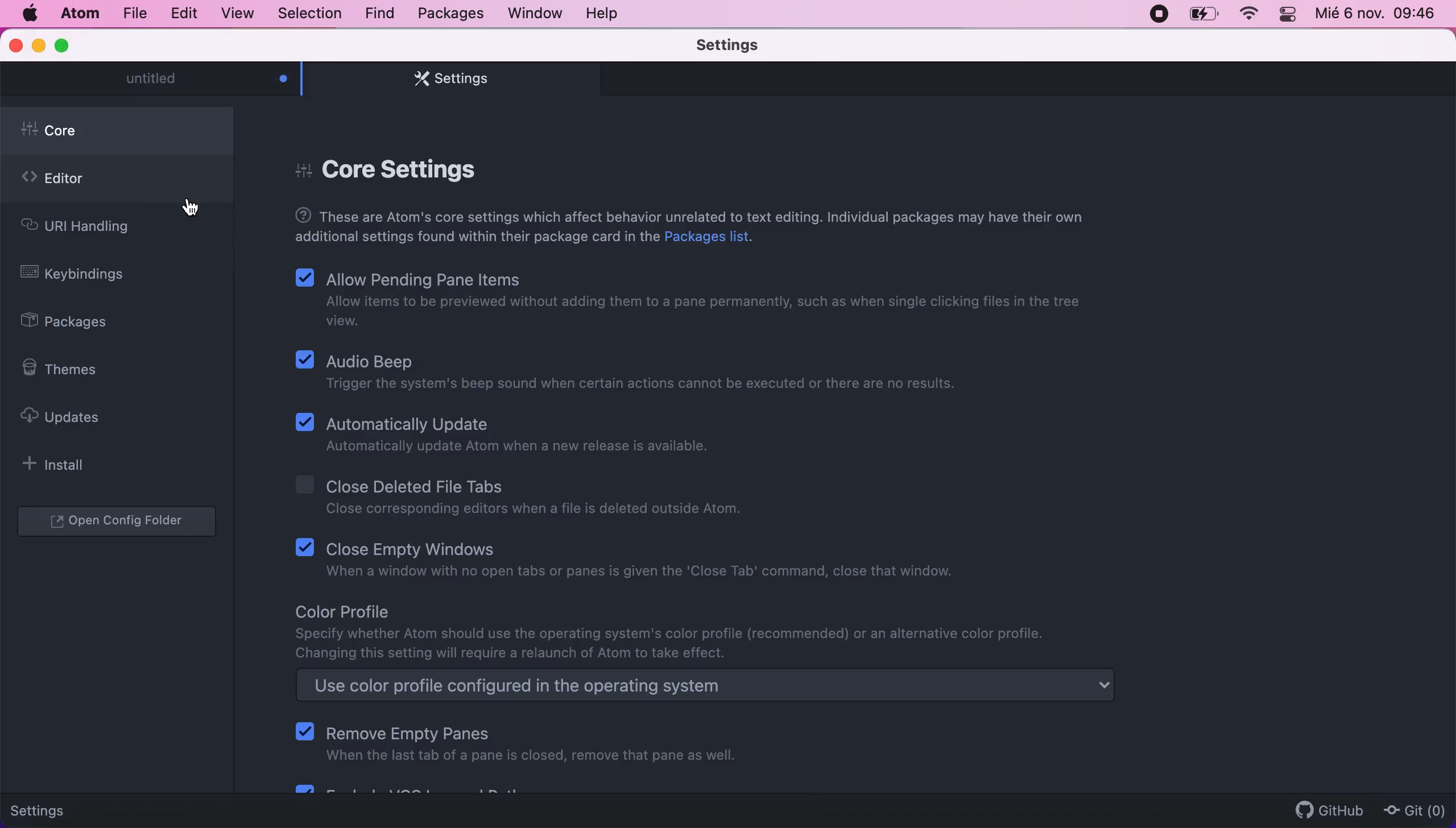 The height and width of the screenshot is (828, 1456). I want to click on file, so click(135, 15).